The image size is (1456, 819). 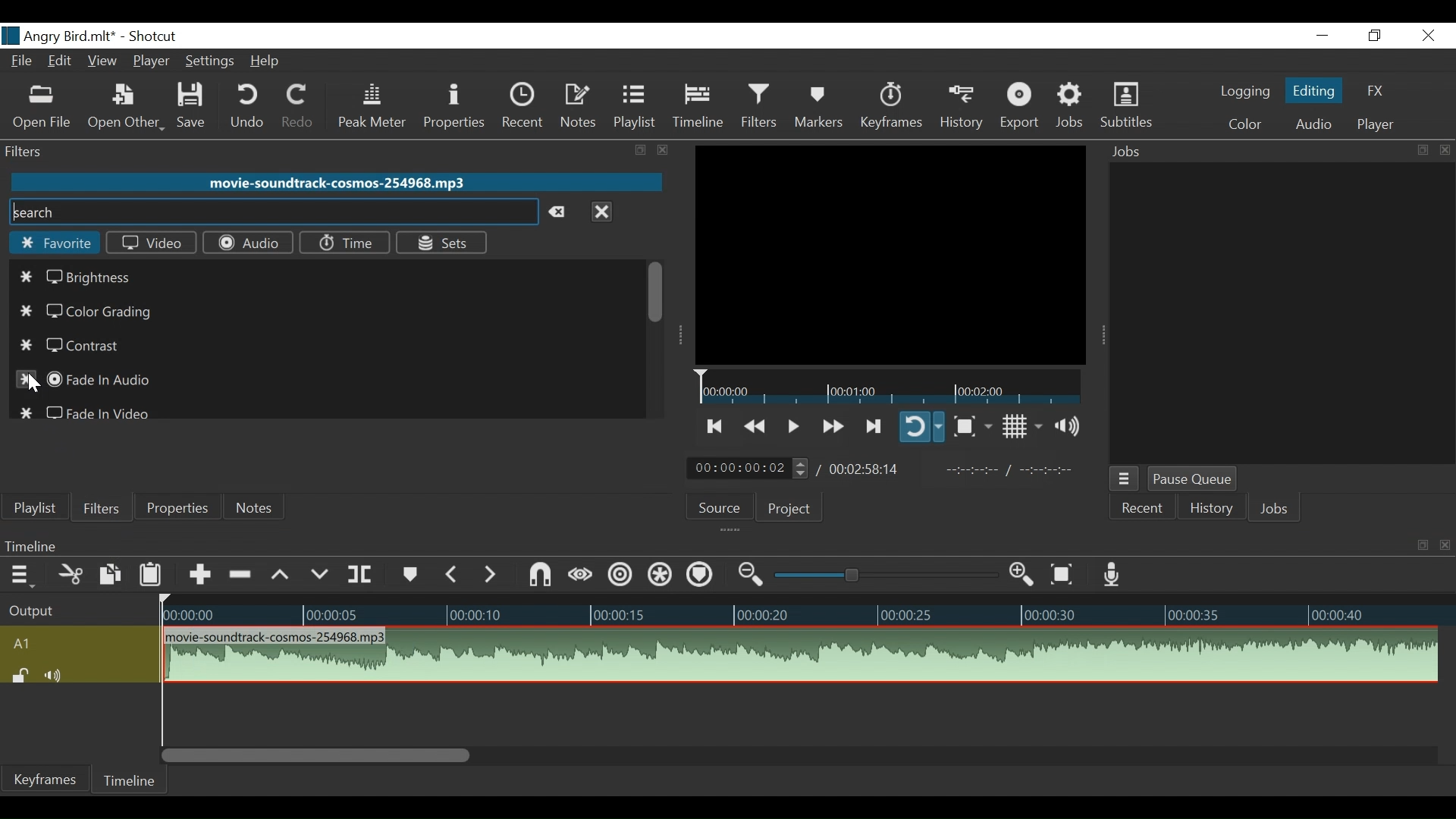 I want to click on View, so click(x=102, y=63).